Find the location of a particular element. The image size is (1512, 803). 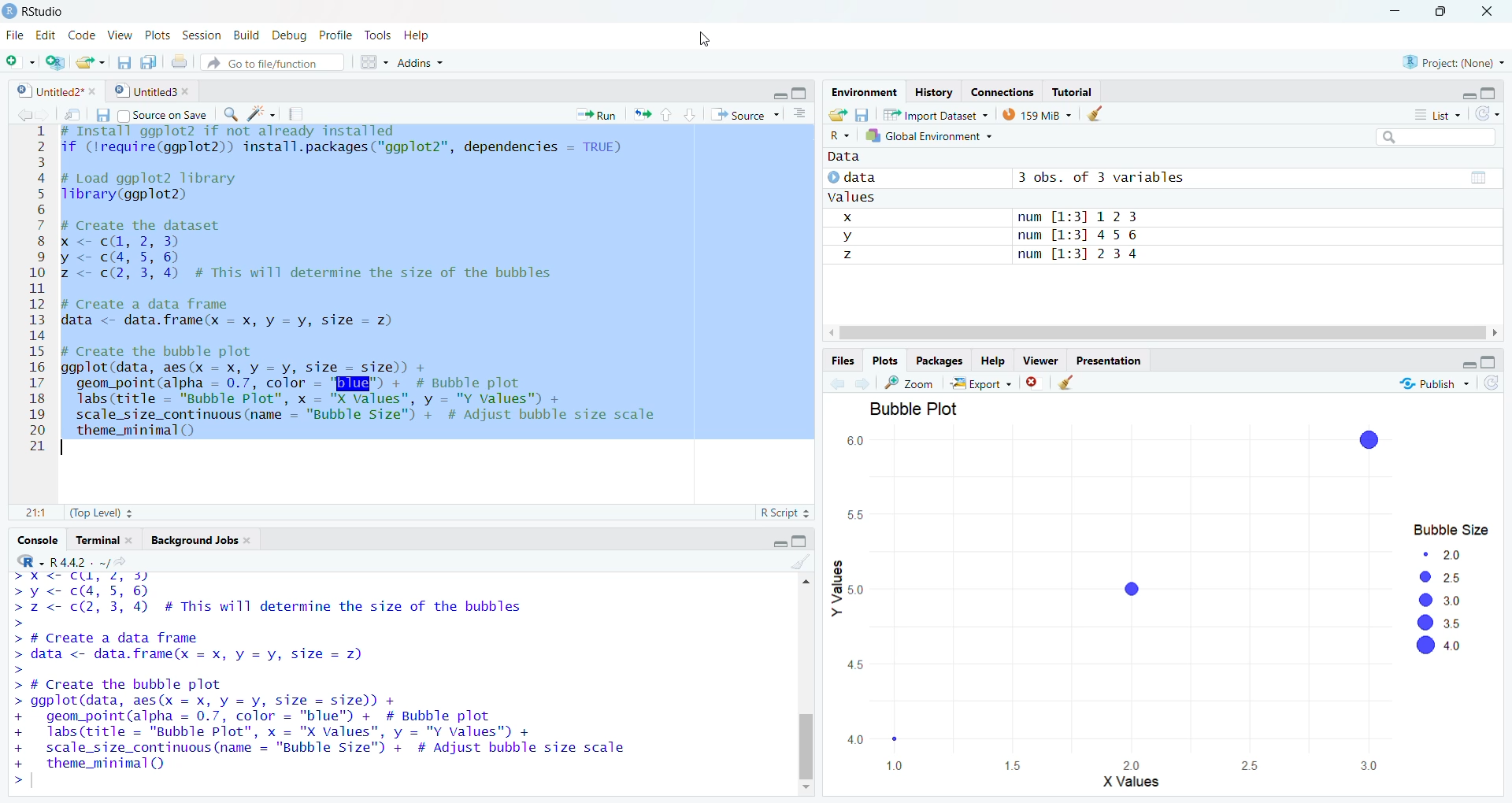

scrollbar is located at coordinates (1168, 334).